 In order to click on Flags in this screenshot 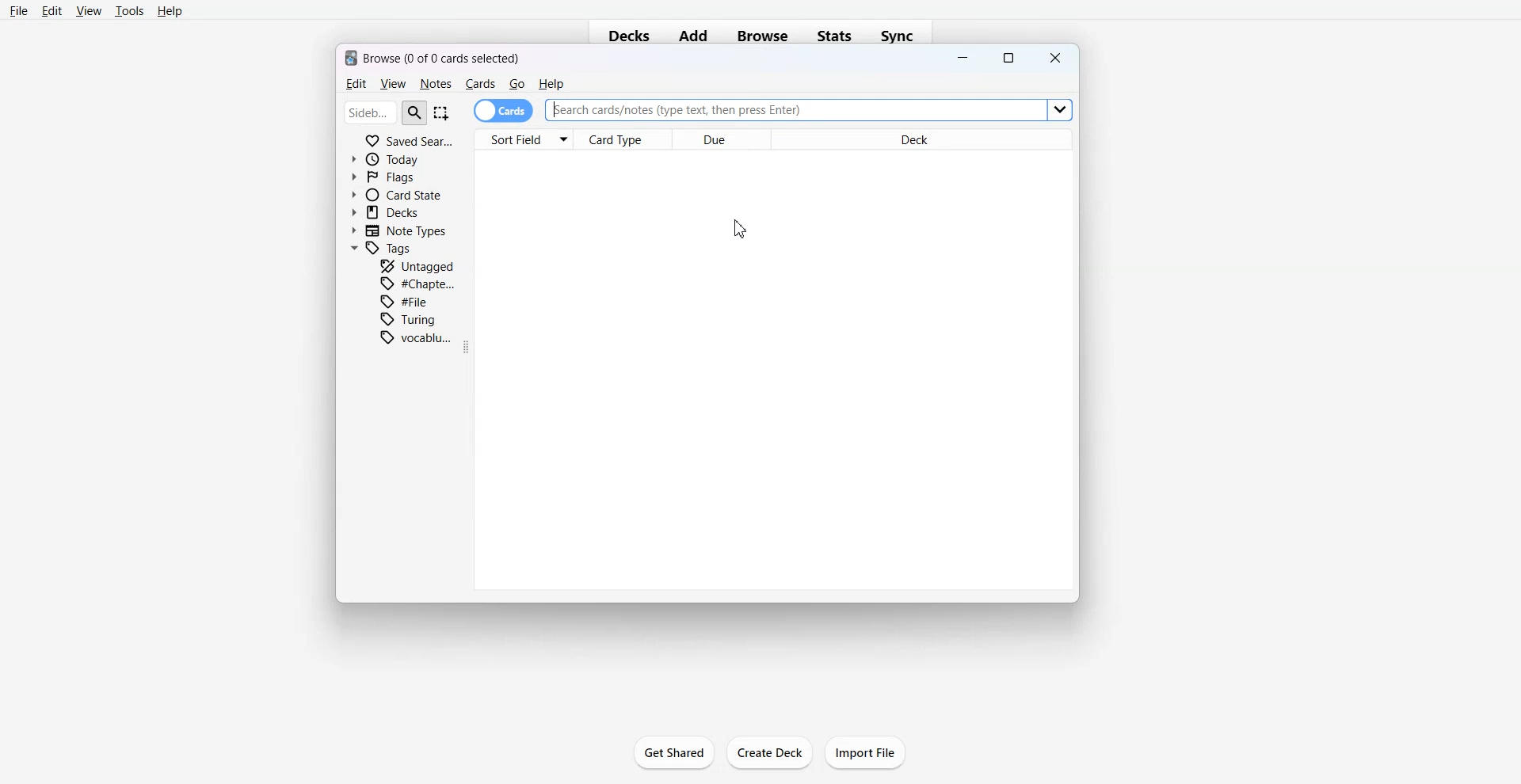, I will do `click(383, 176)`.